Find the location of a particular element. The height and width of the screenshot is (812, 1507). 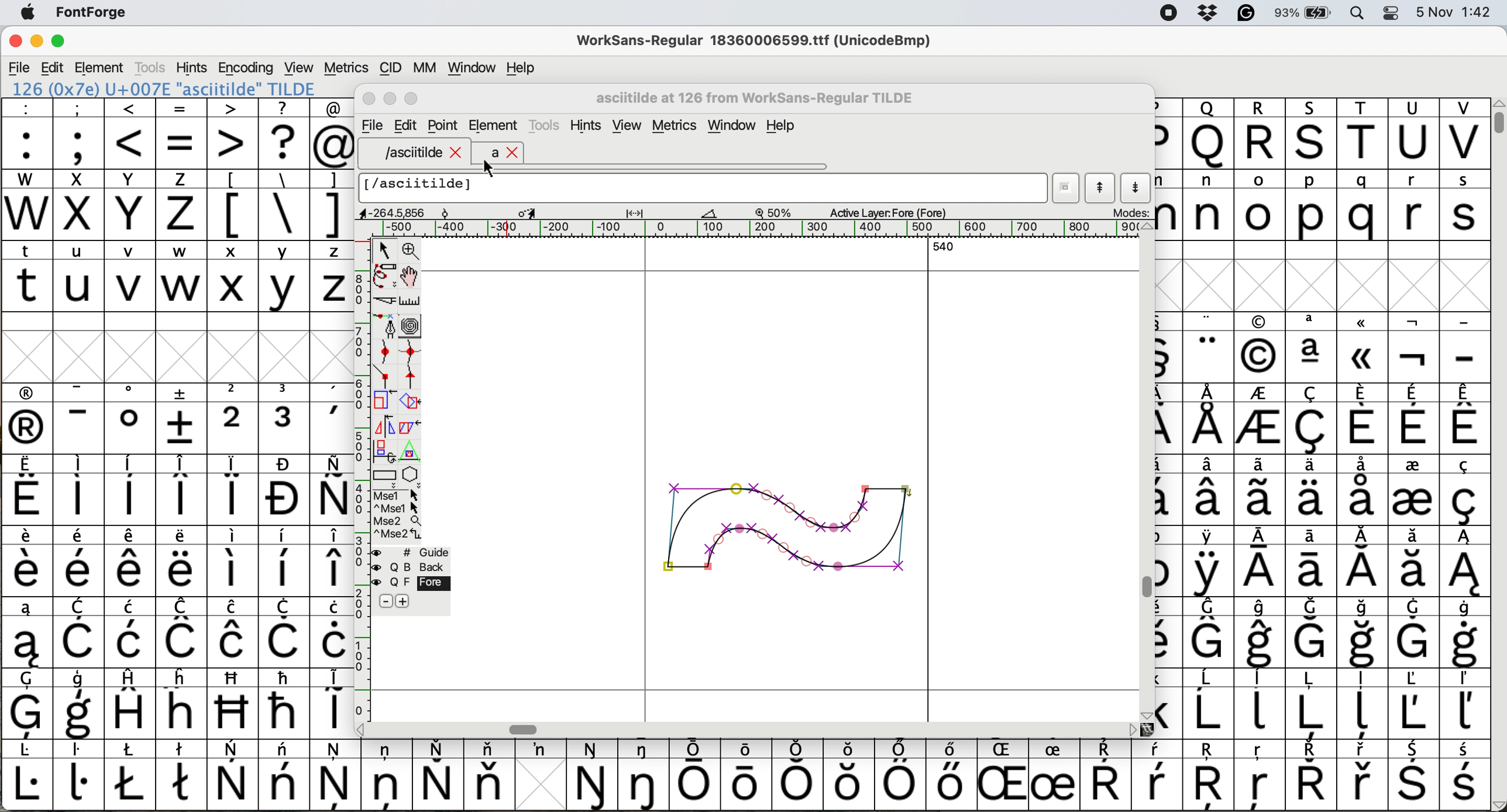

symbol is located at coordinates (646, 775).